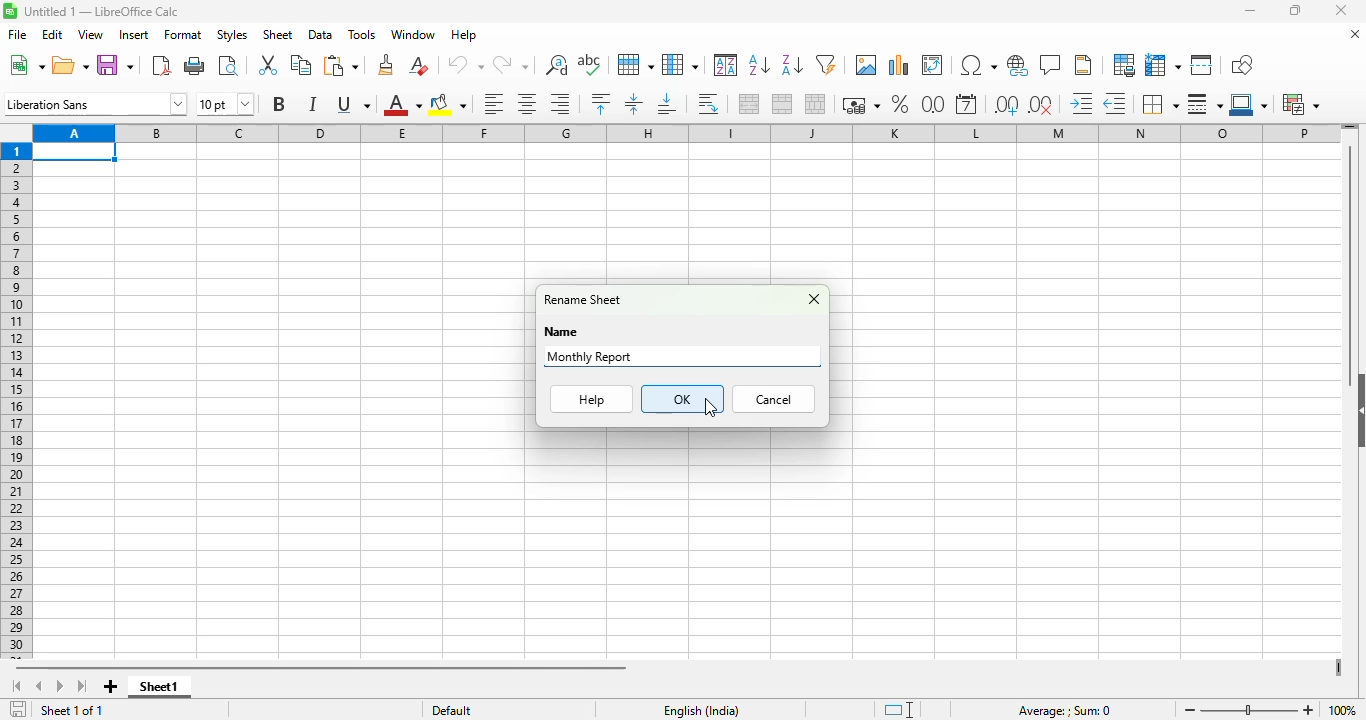 Image resolution: width=1366 pixels, height=720 pixels. What do you see at coordinates (1240, 64) in the screenshot?
I see `show draw functions` at bounding box center [1240, 64].